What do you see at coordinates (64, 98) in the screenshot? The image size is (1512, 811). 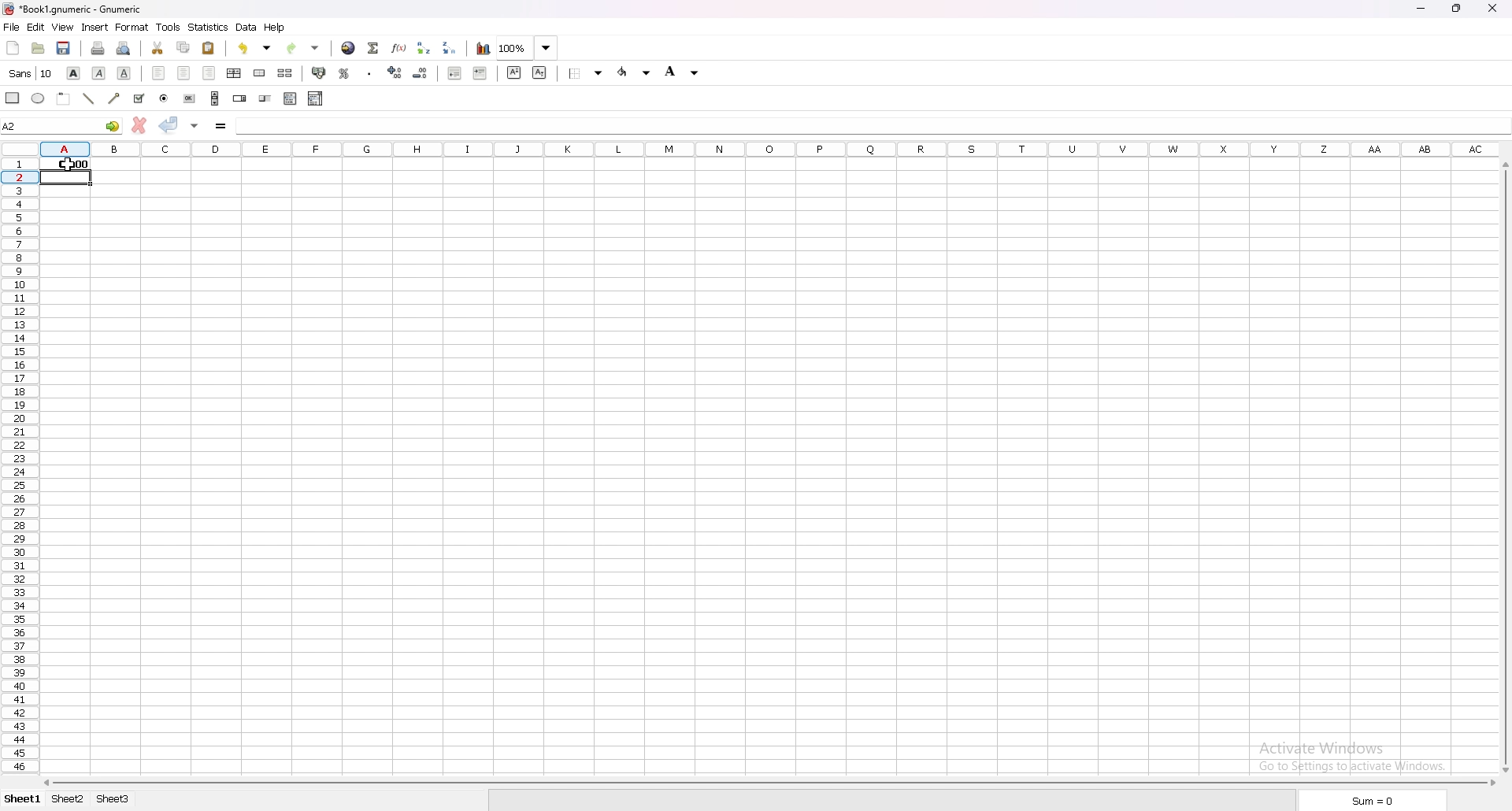 I see `frame` at bounding box center [64, 98].